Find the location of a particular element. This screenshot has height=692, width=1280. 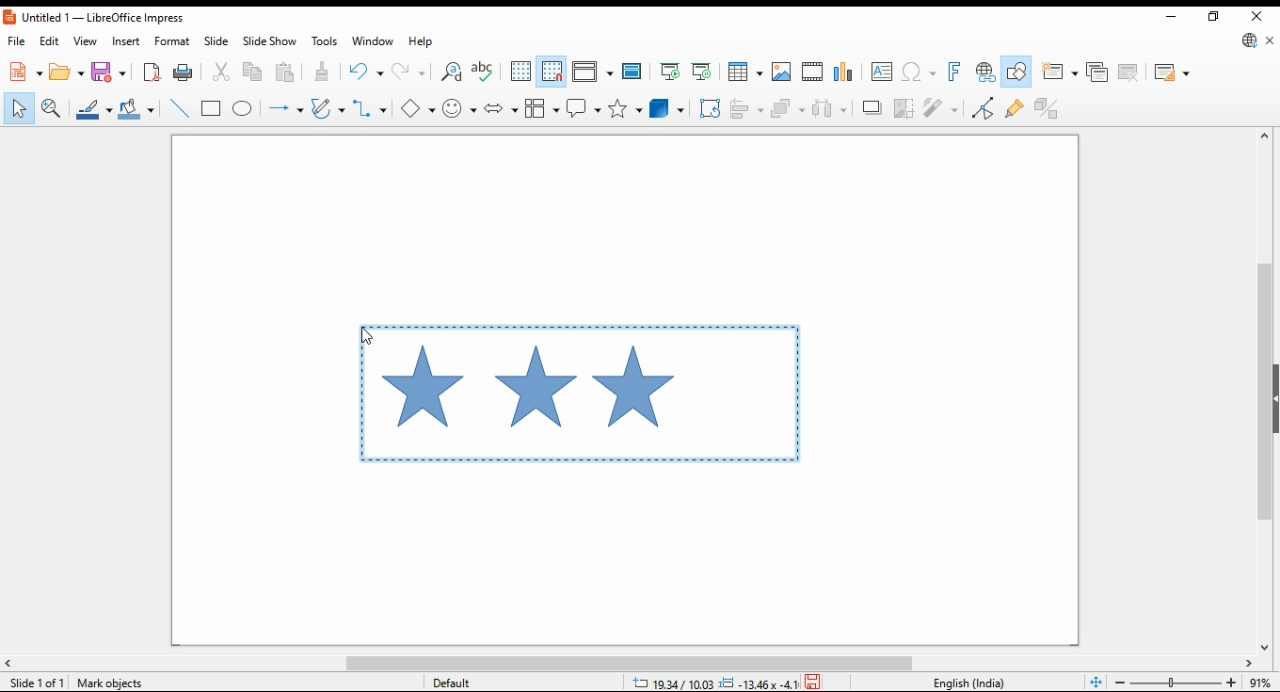

line color is located at coordinates (93, 109).